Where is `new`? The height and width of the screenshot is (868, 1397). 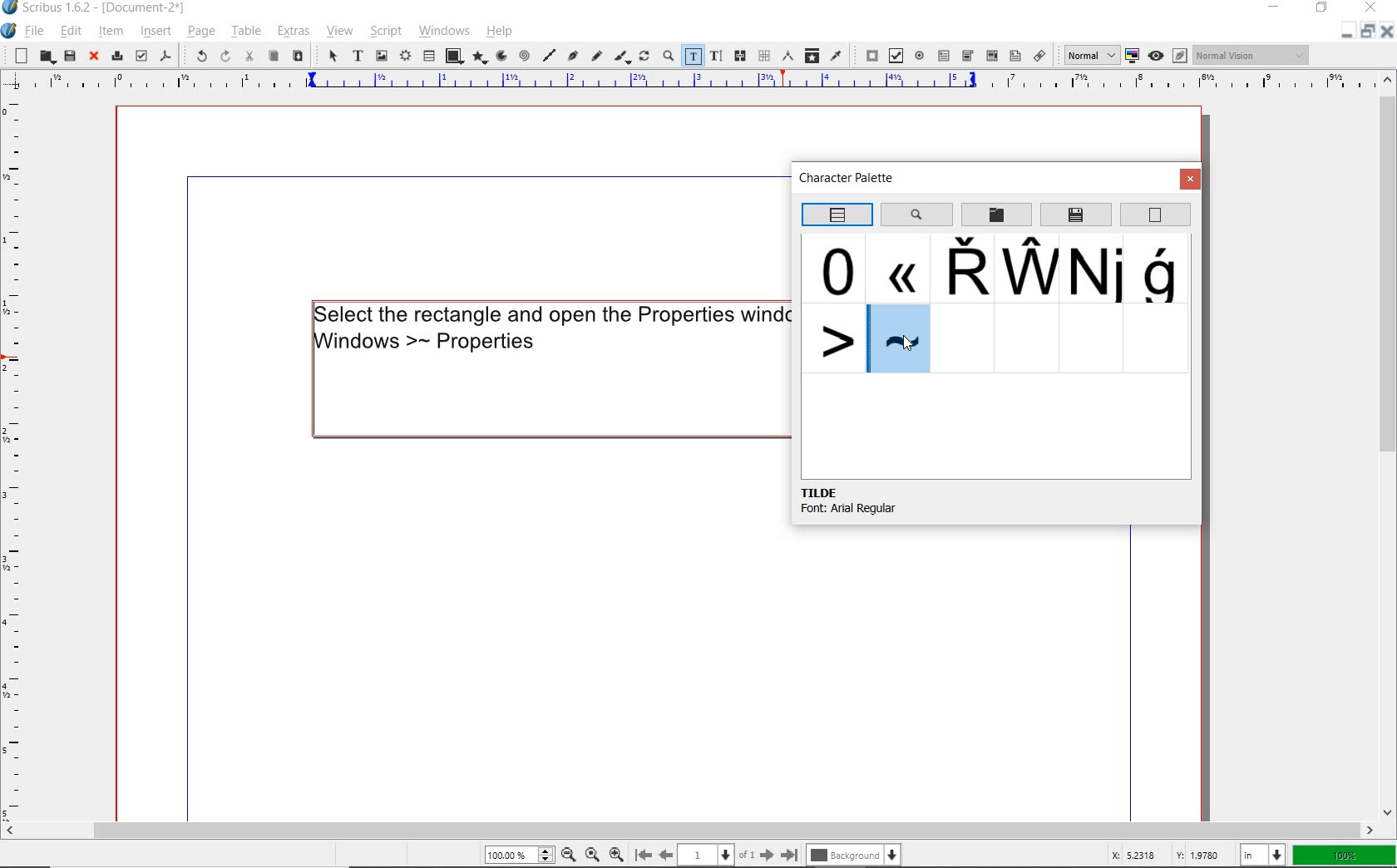 new is located at coordinates (17, 56).